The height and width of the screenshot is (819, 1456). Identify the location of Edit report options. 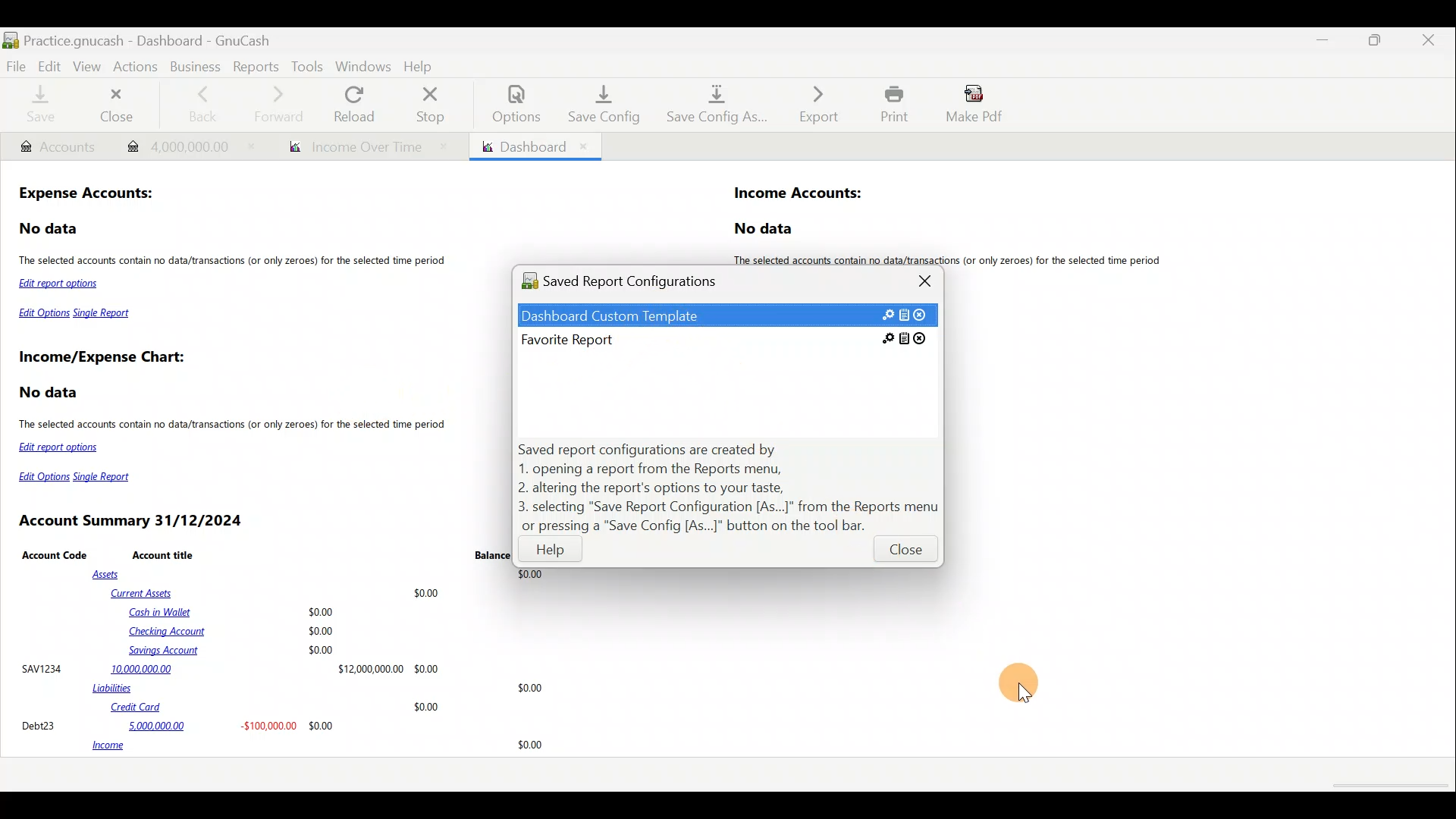
(62, 285).